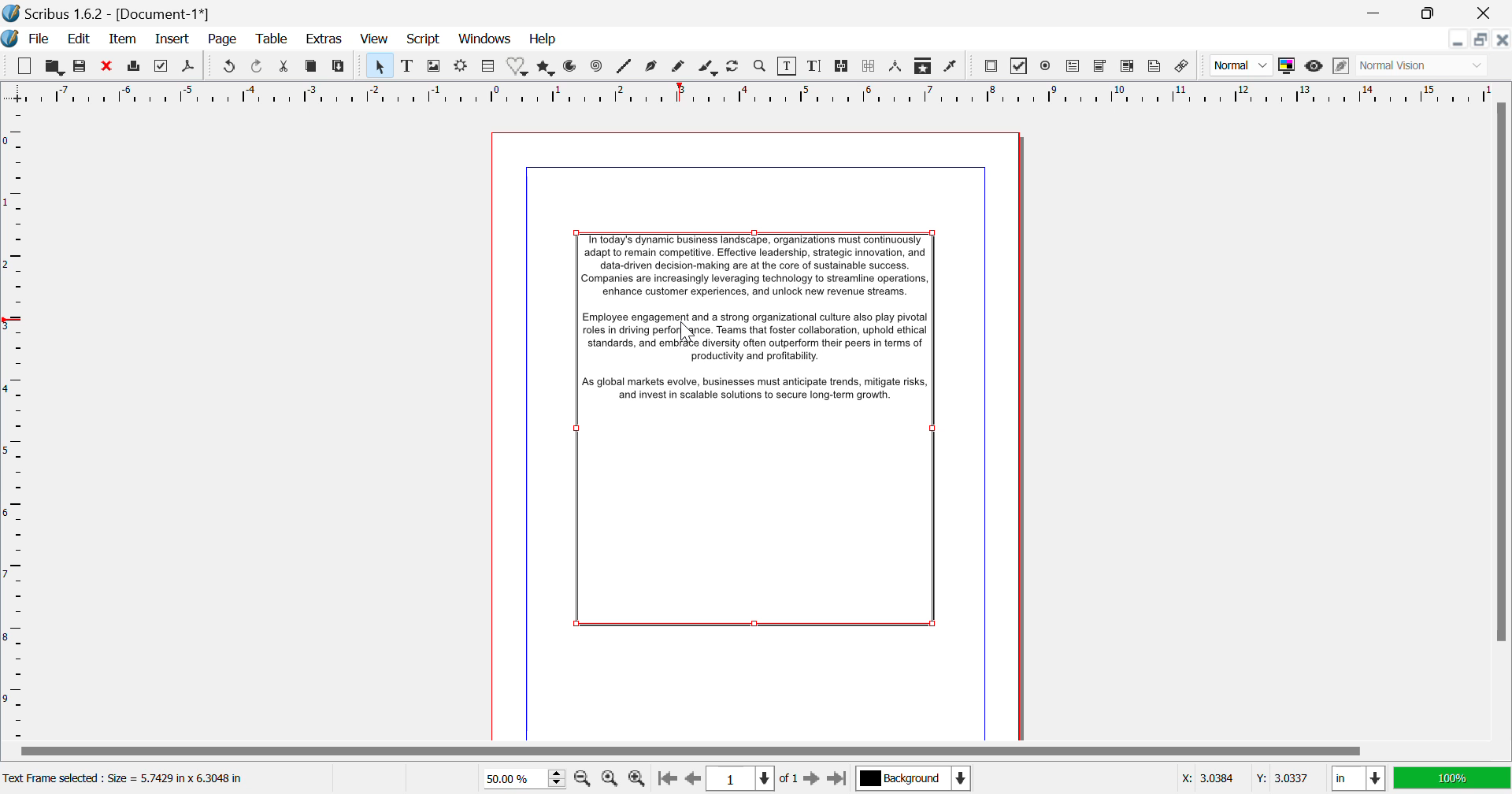 This screenshot has height=794, width=1512. Describe the element at coordinates (610, 778) in the screenshot. I see `Zoom to 100%` at that location.